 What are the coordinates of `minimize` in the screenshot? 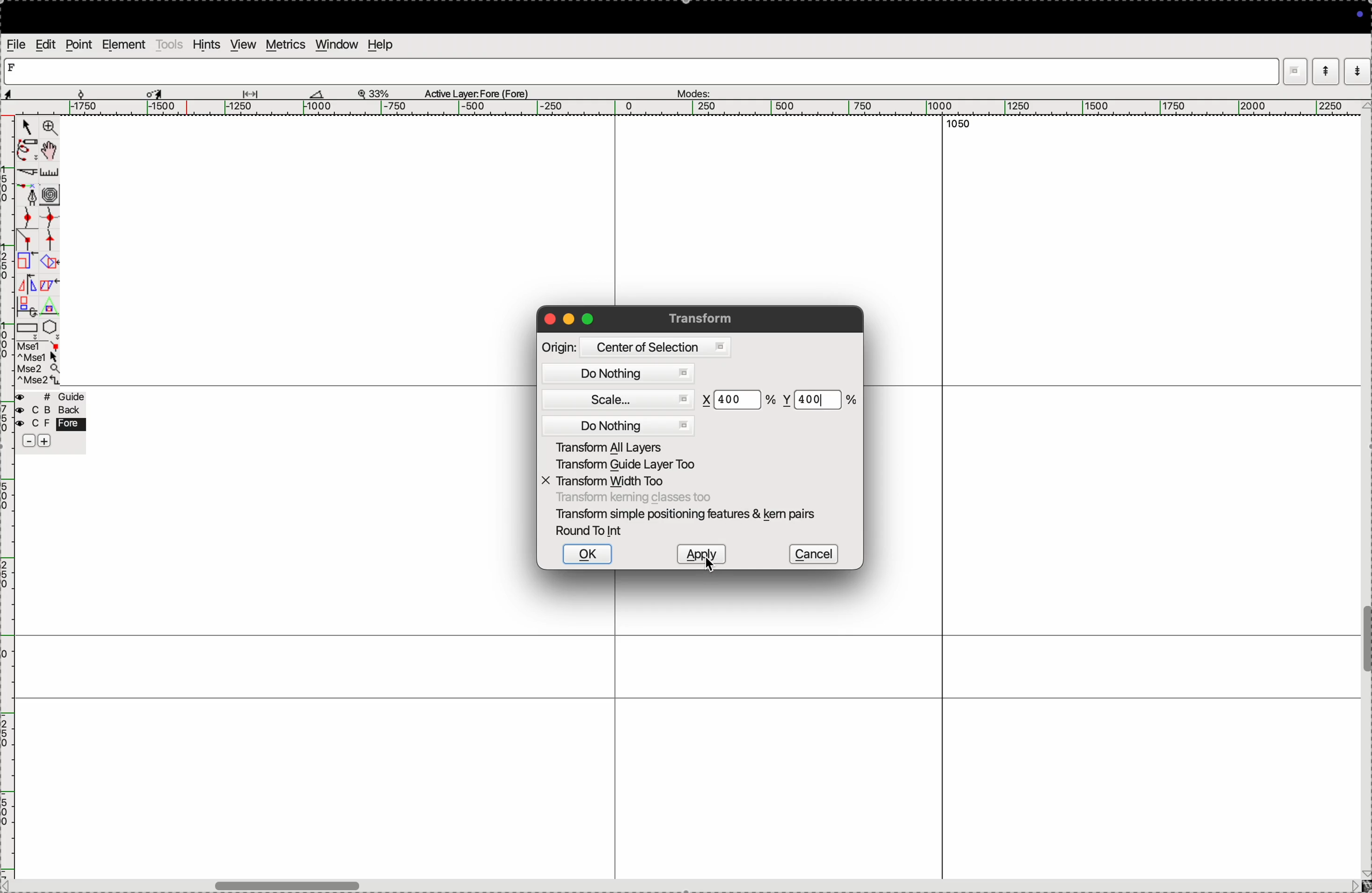 It's located at (570, 320).